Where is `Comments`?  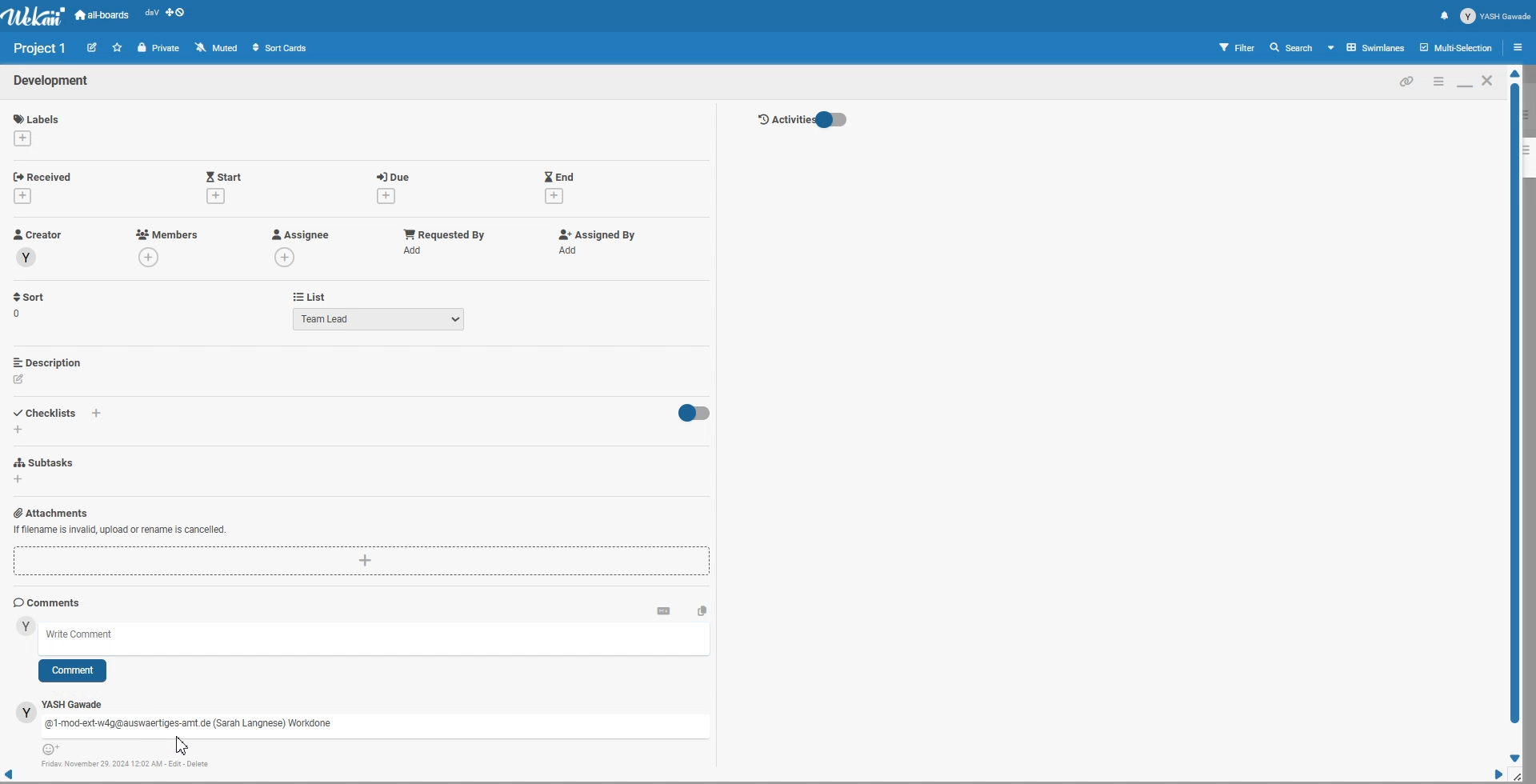
Comments is located at coordinates (47, 602).